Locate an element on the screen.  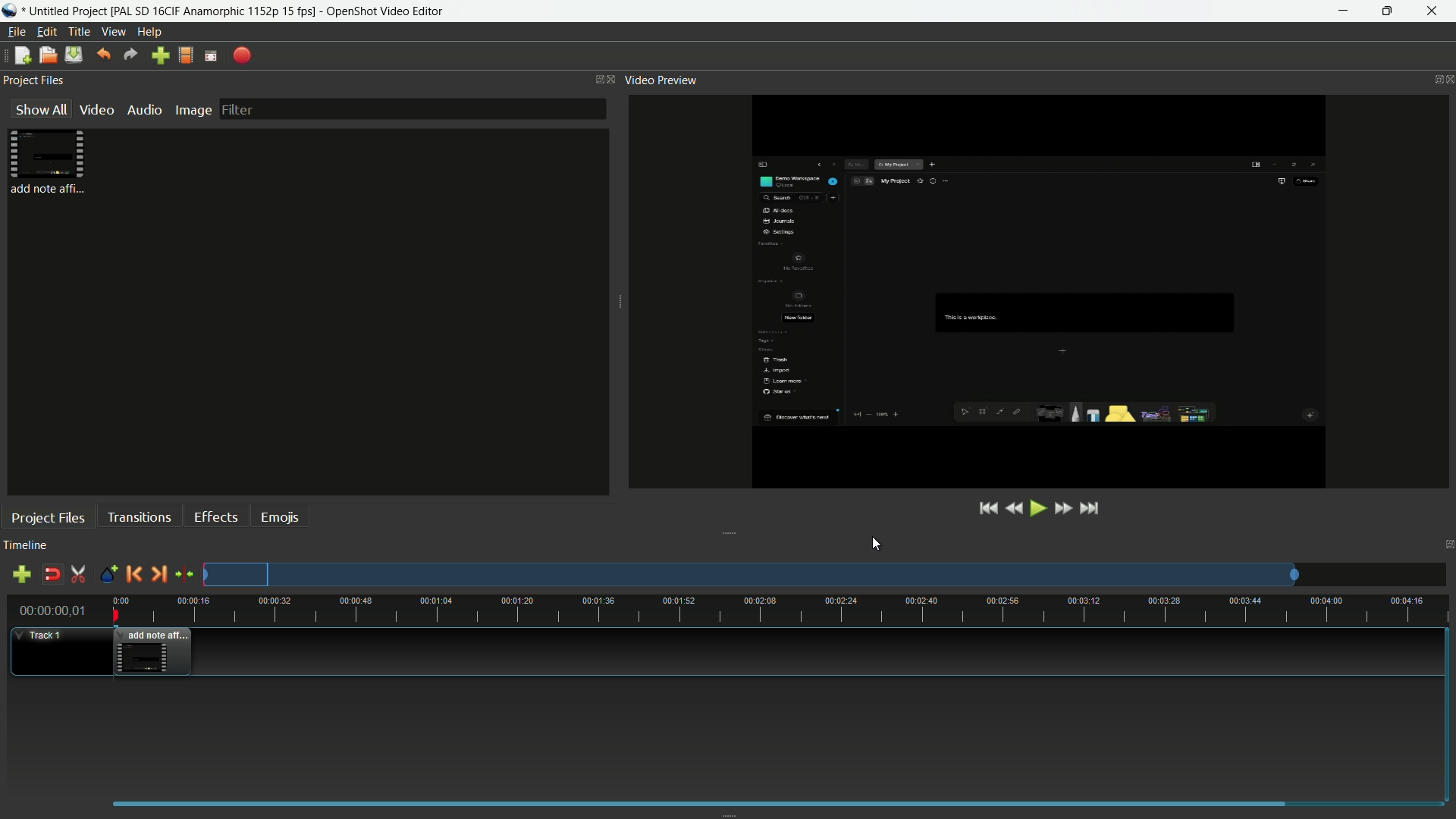
current time is located at coordinates (49, 610).